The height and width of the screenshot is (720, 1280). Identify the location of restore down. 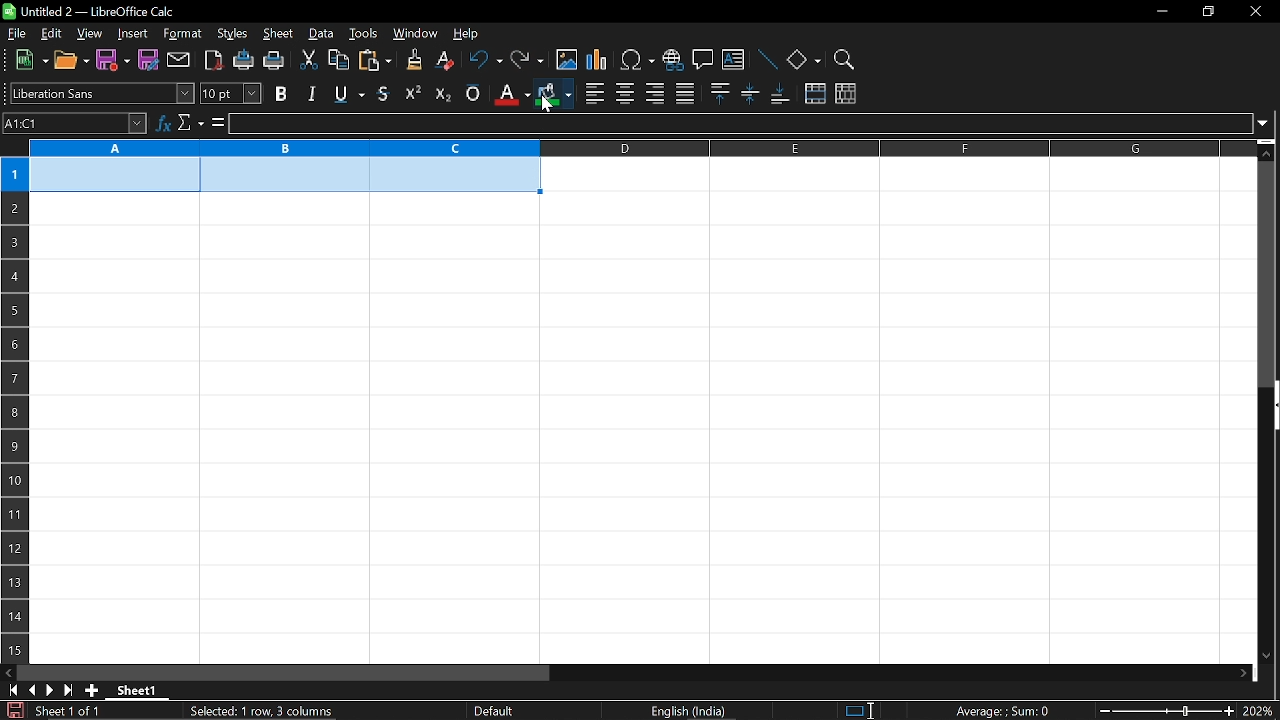
(1207, 10).